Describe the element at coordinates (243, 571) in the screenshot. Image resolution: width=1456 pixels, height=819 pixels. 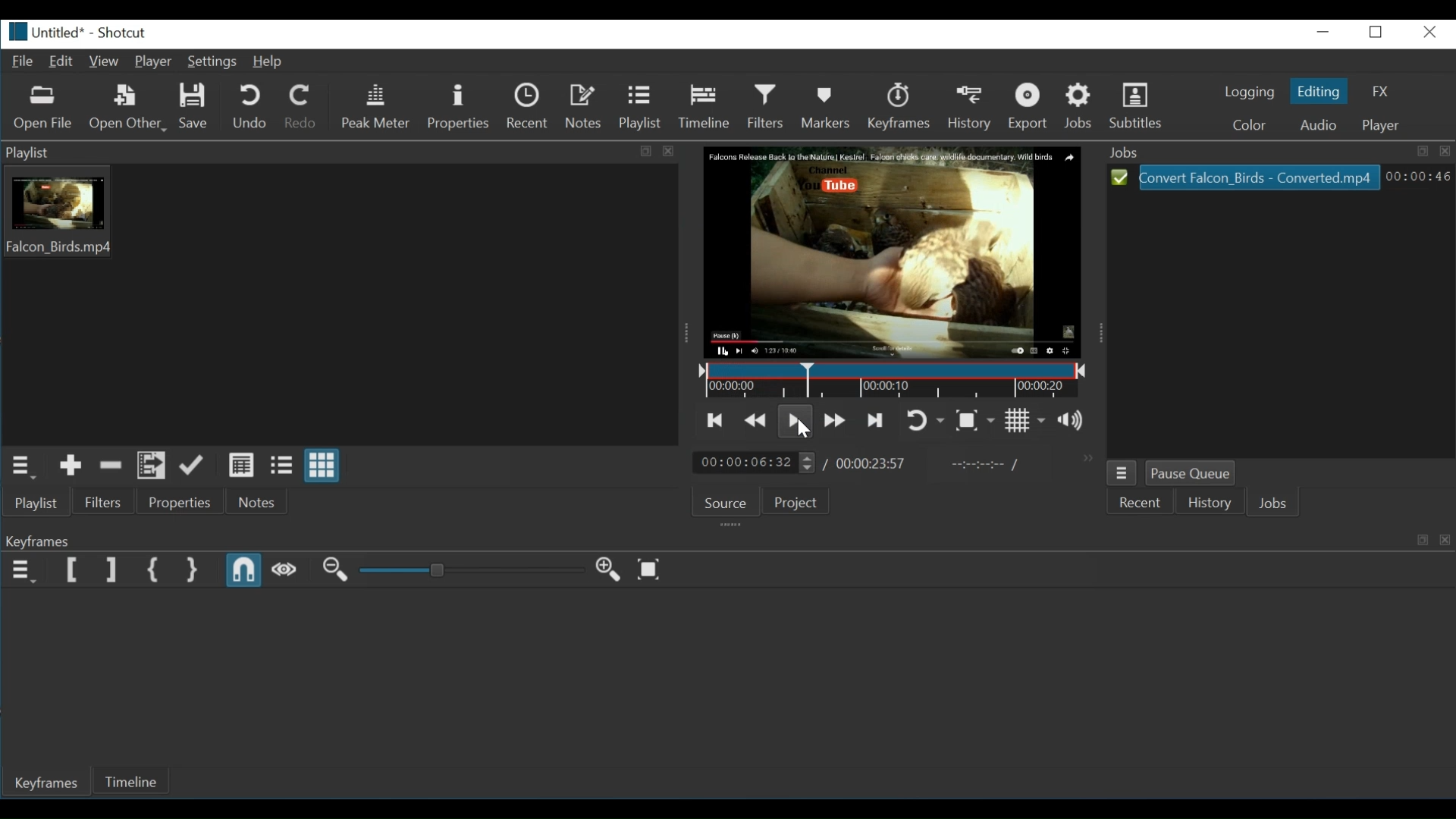
I see `Snap` at that location.